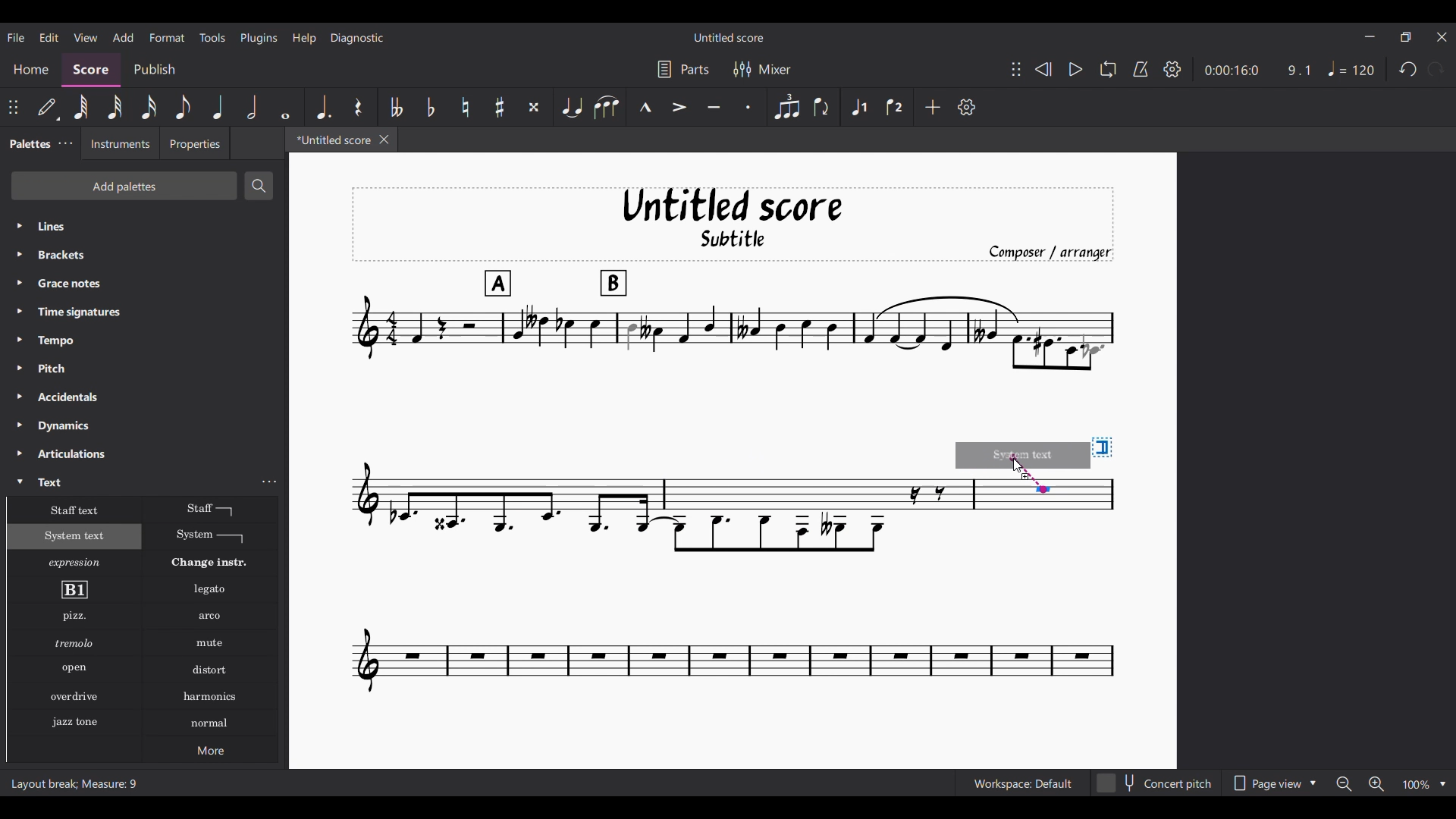  What do you see at coordinates (144, 340) in the screenshot?
I see `Tempo` at bounding box center [144, 340].